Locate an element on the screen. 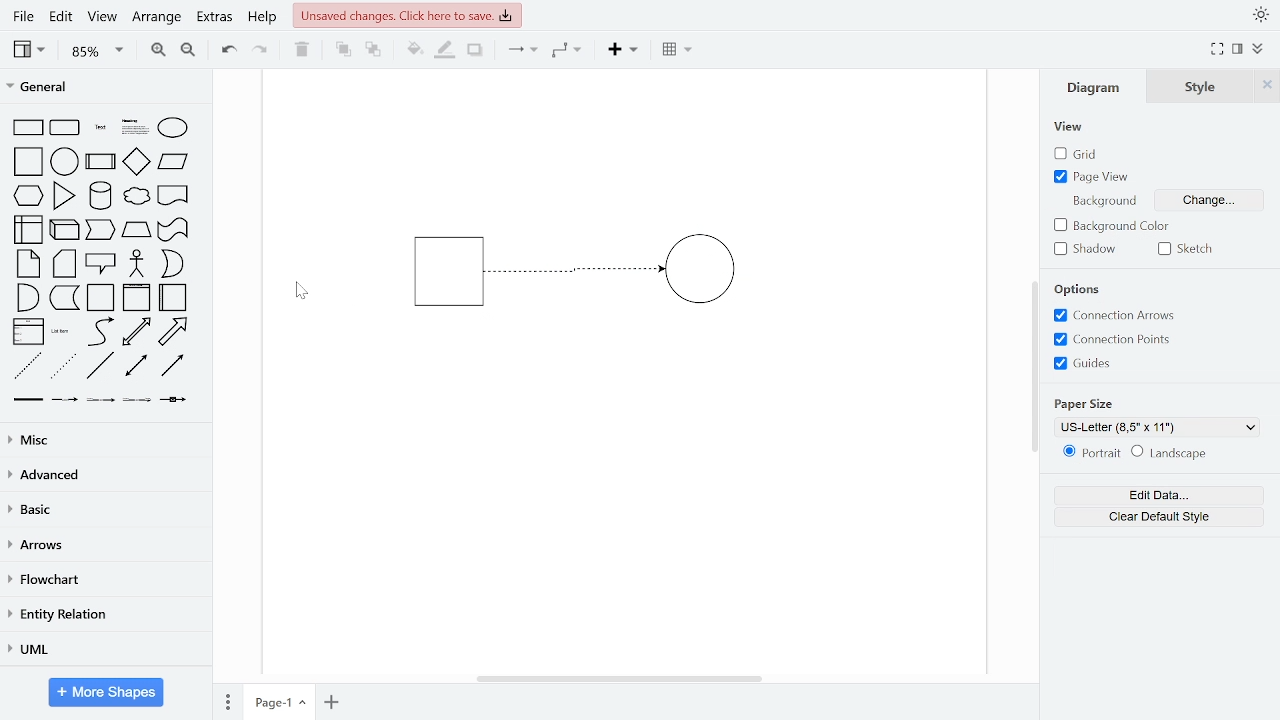  square is located at coordinates (30, 163).